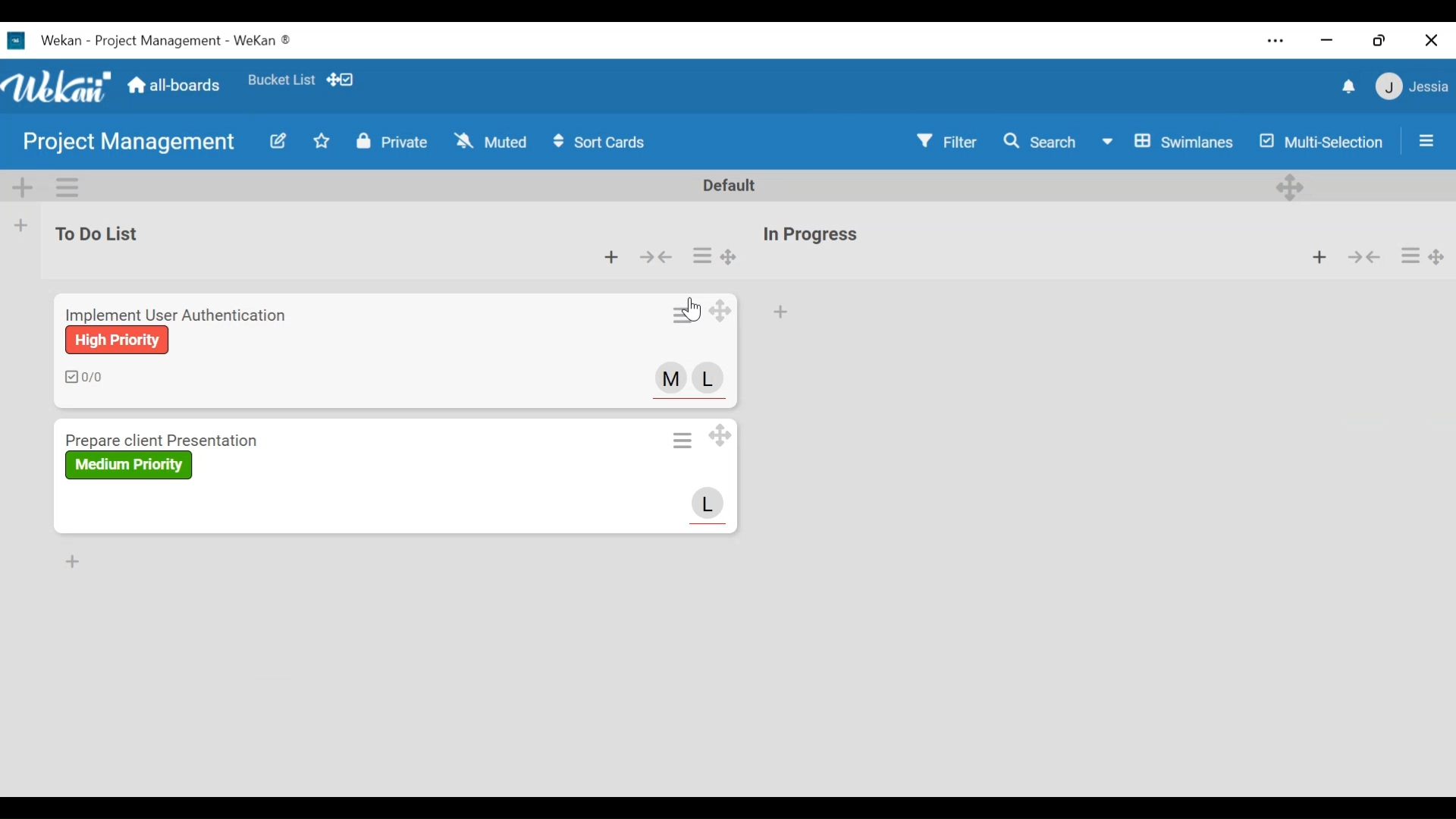 The image size is (1456, 819). I want to click on Board Title, so click(166, 39).